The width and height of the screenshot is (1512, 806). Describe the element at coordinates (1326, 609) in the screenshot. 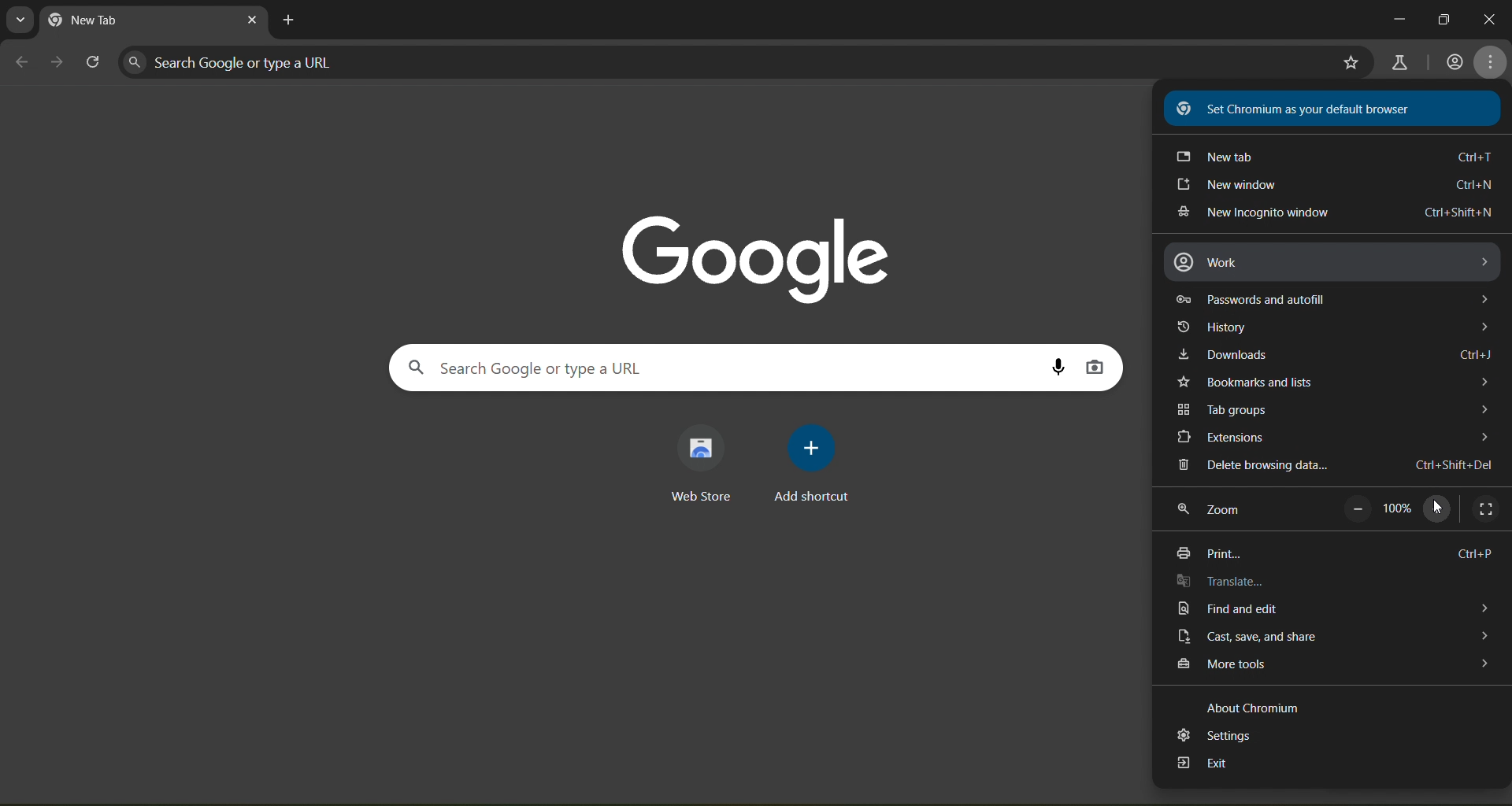

I see `find and edit` at that location.